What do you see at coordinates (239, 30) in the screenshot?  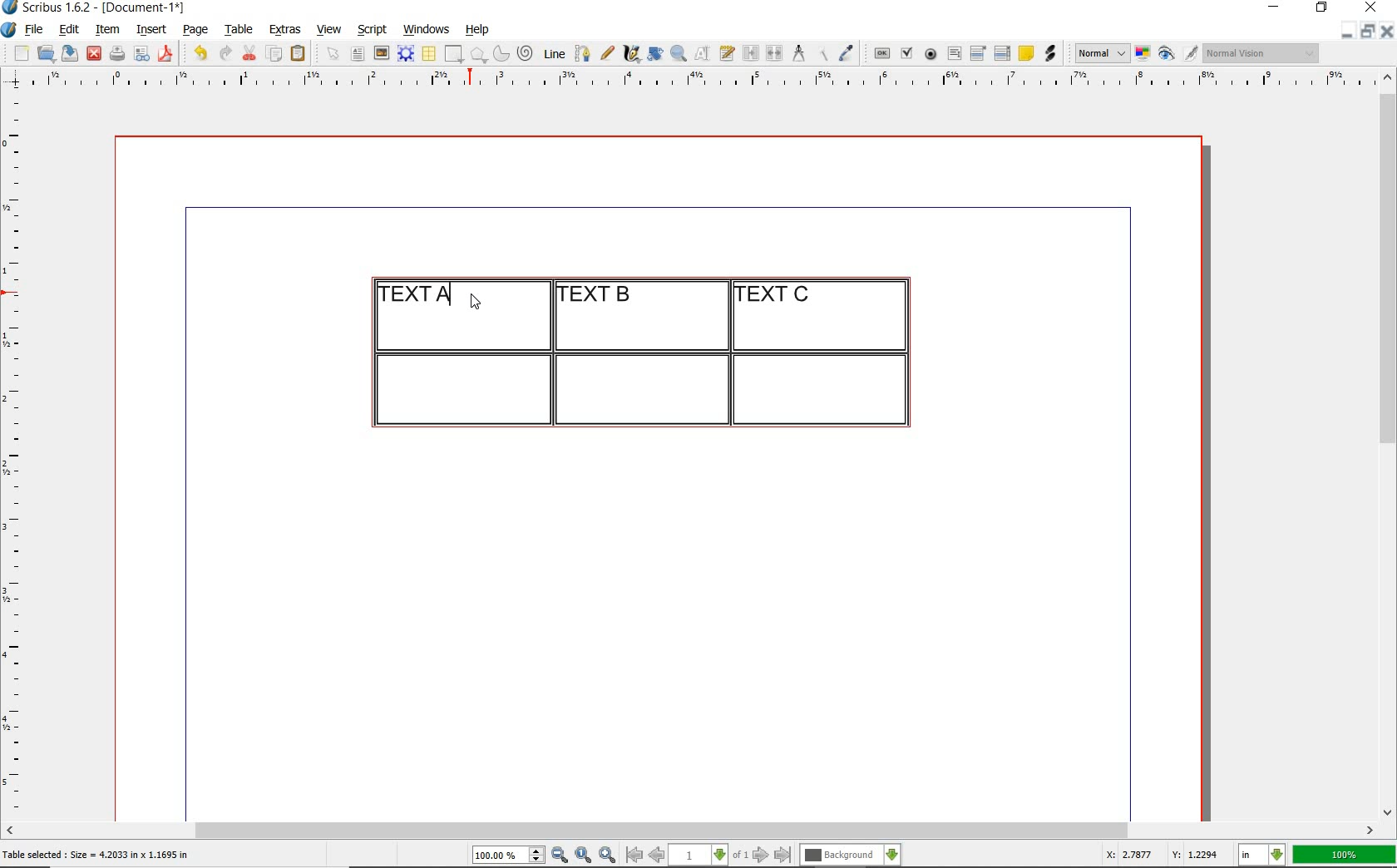 I see `table` at bounding box center [239, 30].